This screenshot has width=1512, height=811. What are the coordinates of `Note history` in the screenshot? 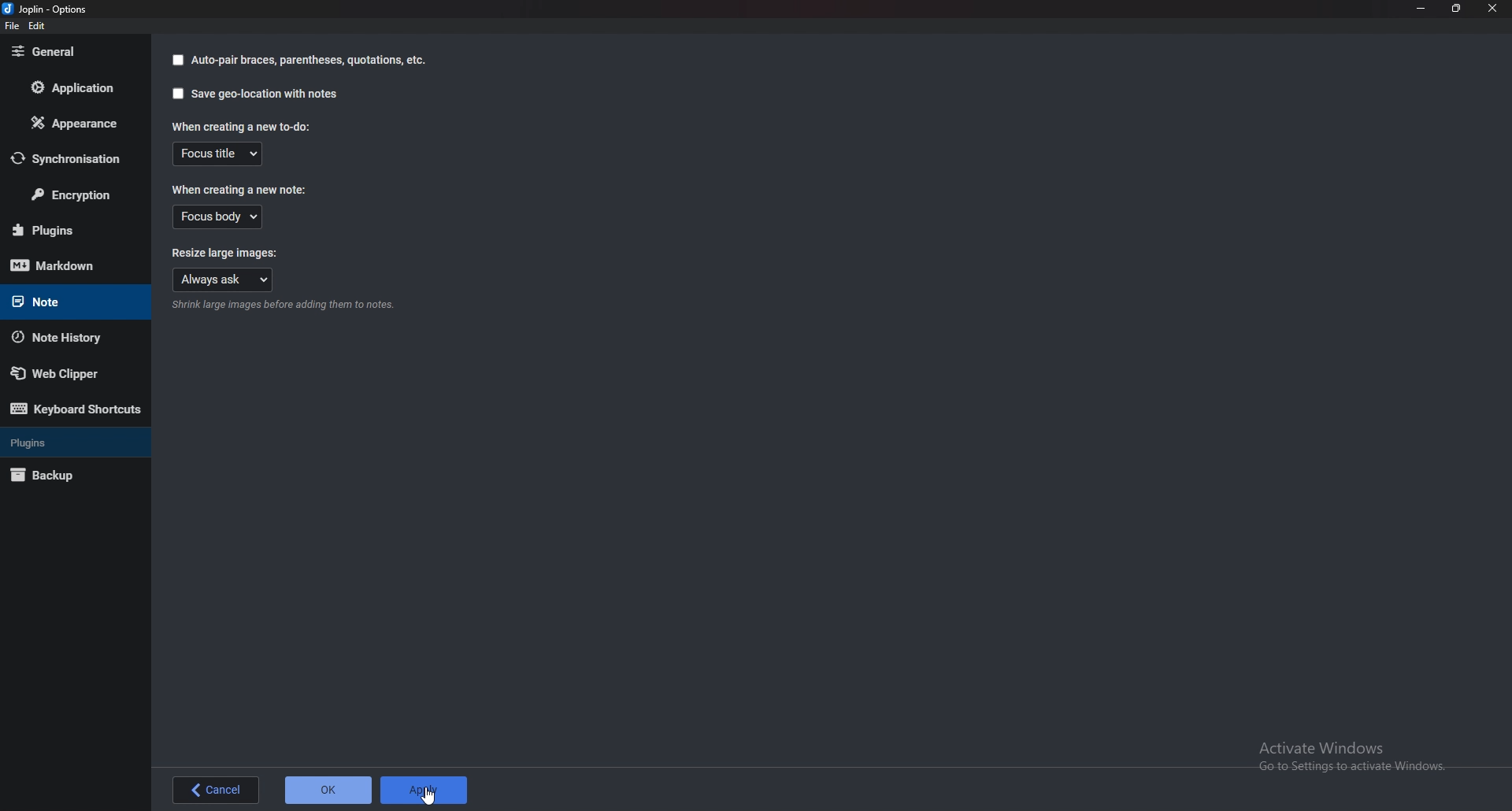 It's located at (65, 337).